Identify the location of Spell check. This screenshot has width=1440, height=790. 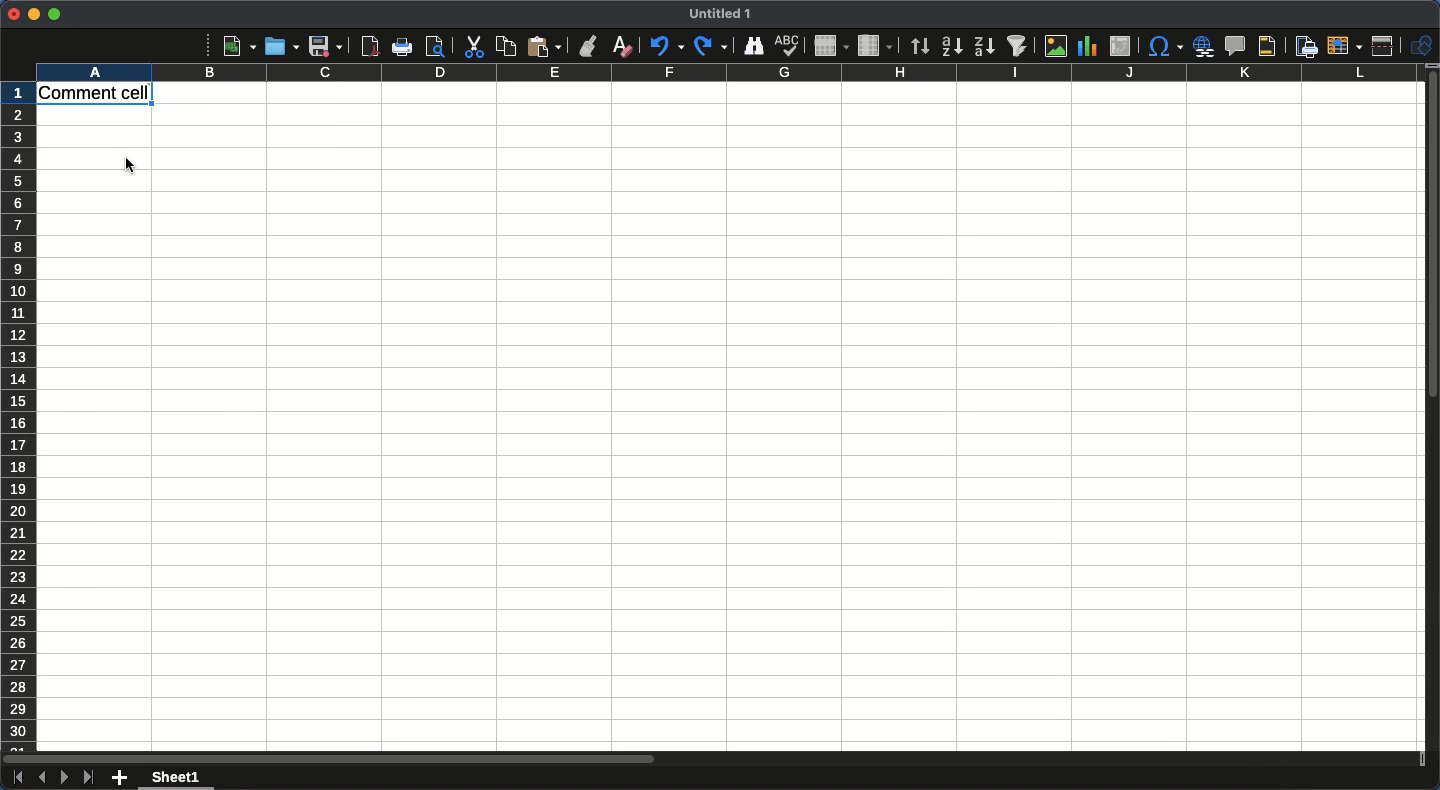
(788, 46).